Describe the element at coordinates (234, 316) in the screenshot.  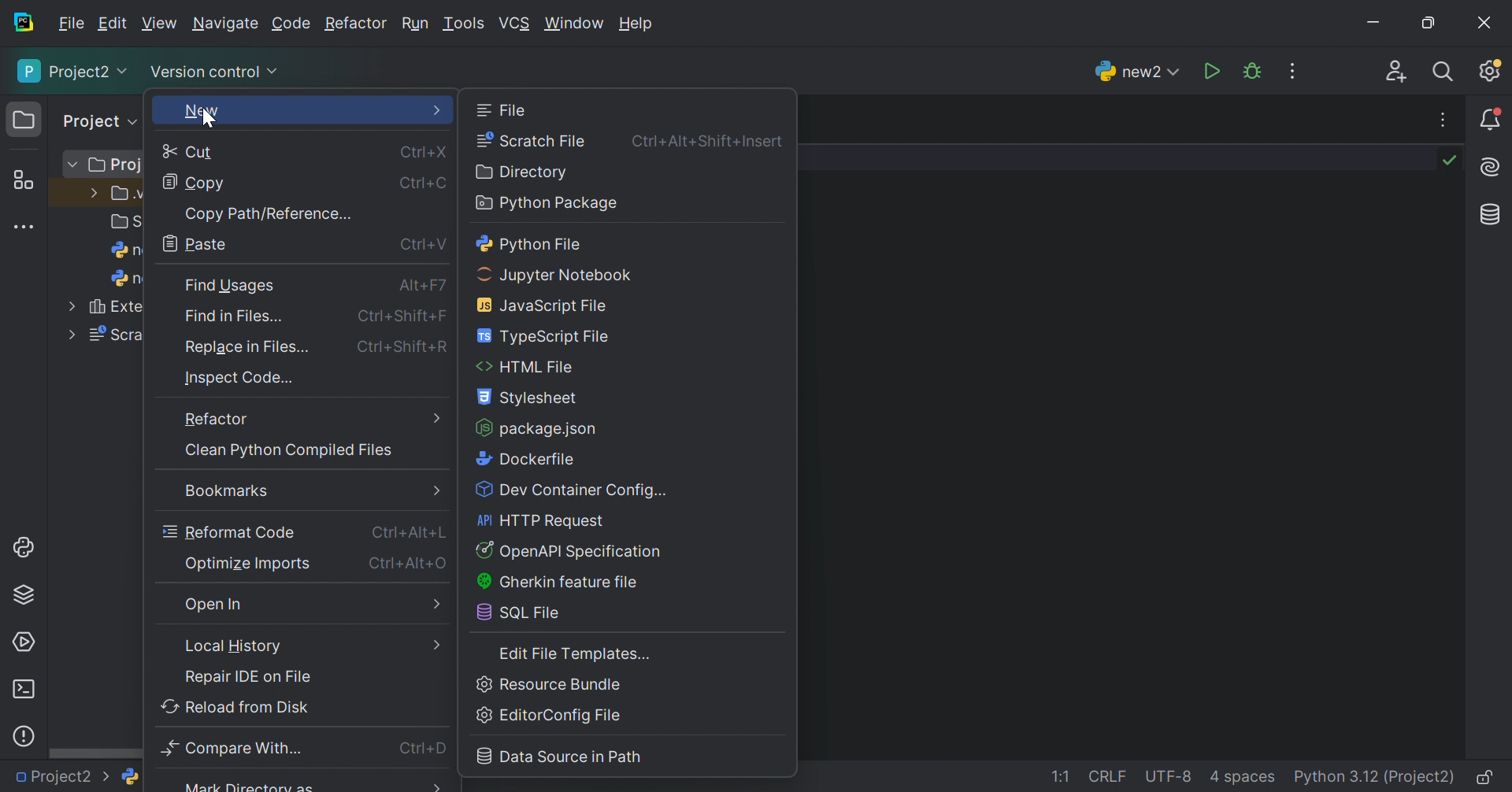
I see `Find in Files` at that location.